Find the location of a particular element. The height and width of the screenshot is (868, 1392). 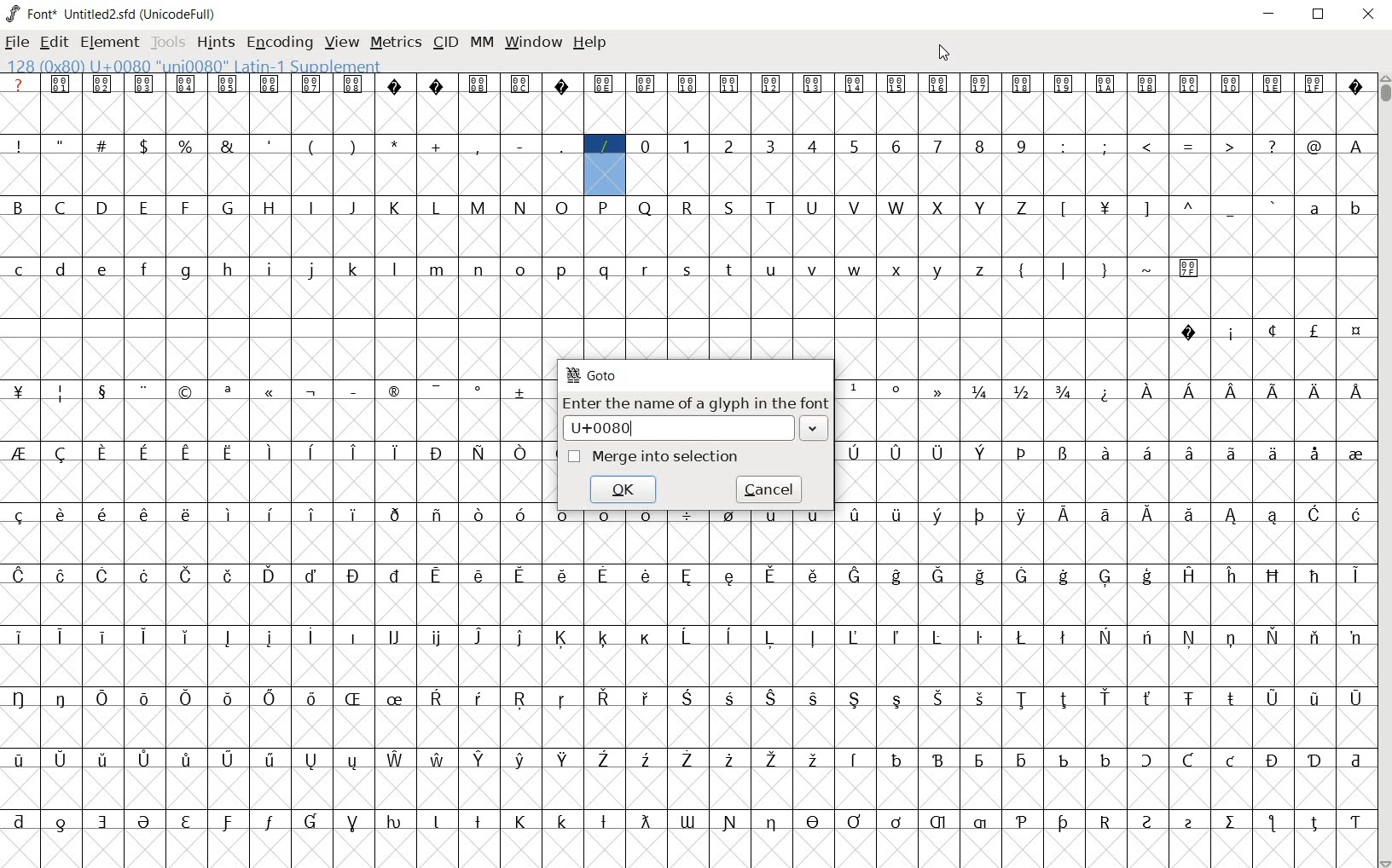

FONT is located at coordinates (31, 13).